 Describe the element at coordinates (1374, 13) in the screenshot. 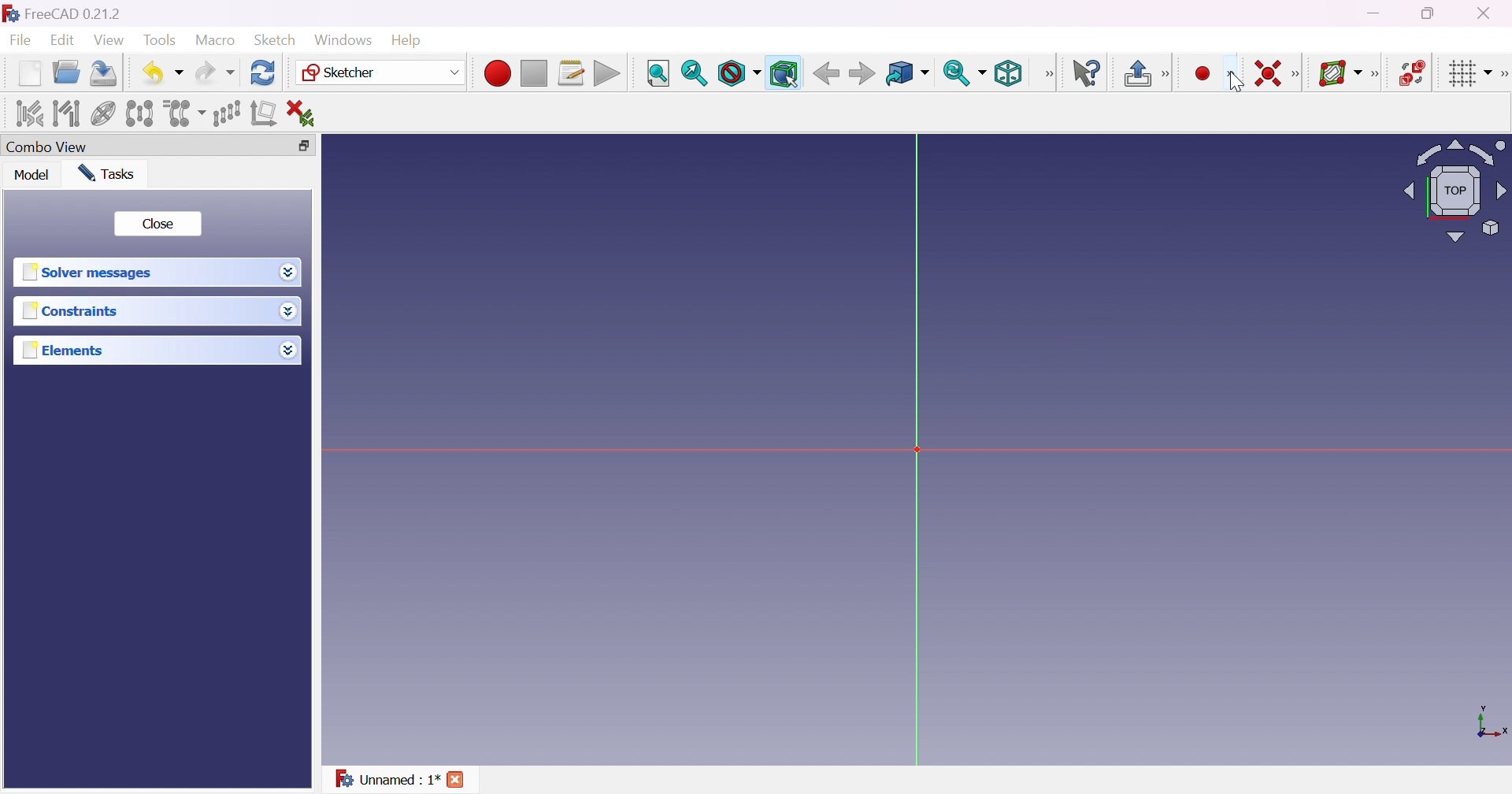

I see `Minimize` at that location.